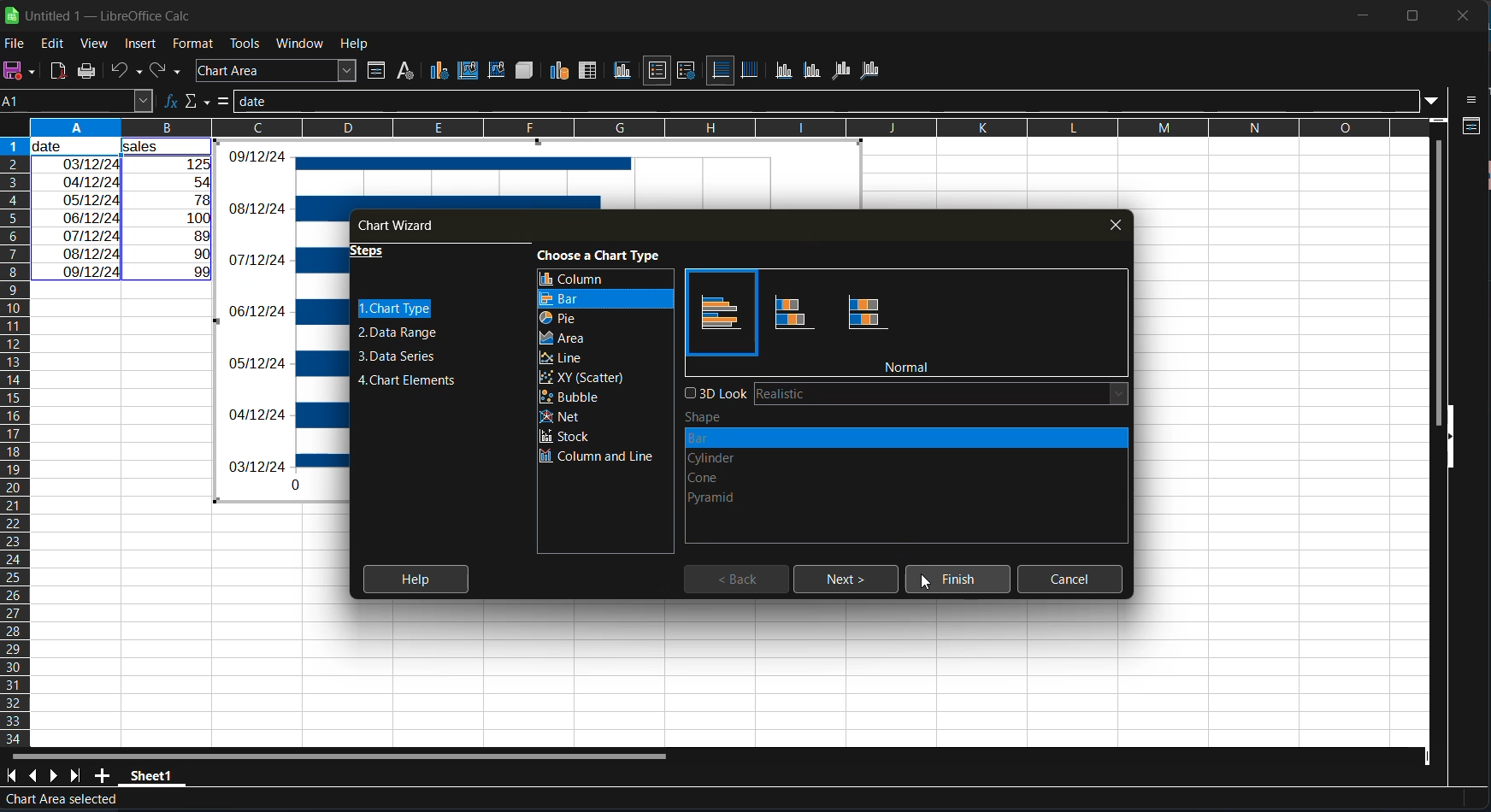 The width and height of the screenshot is (1491, 812). Describe the element at coordinates (788, 314) in the screenshot. I see `types of bar chart` at that location.